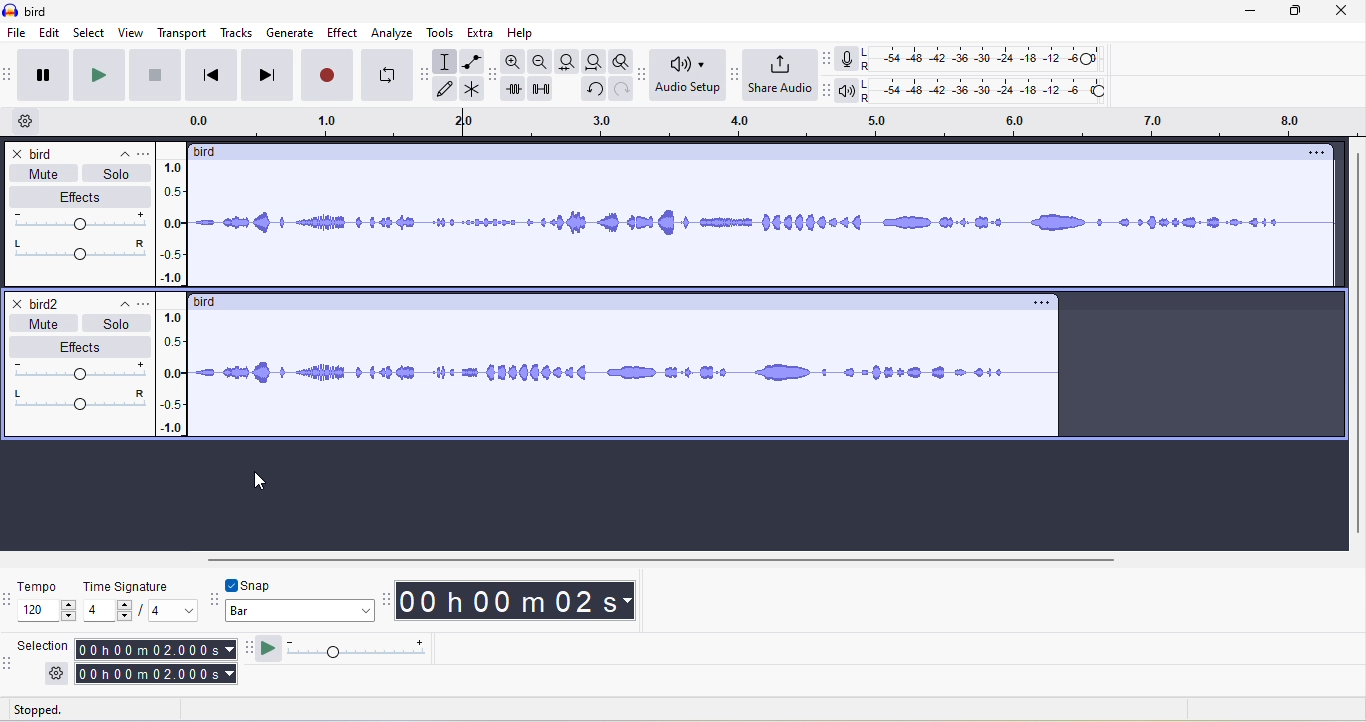  I want to click on help, so click(526, 31).